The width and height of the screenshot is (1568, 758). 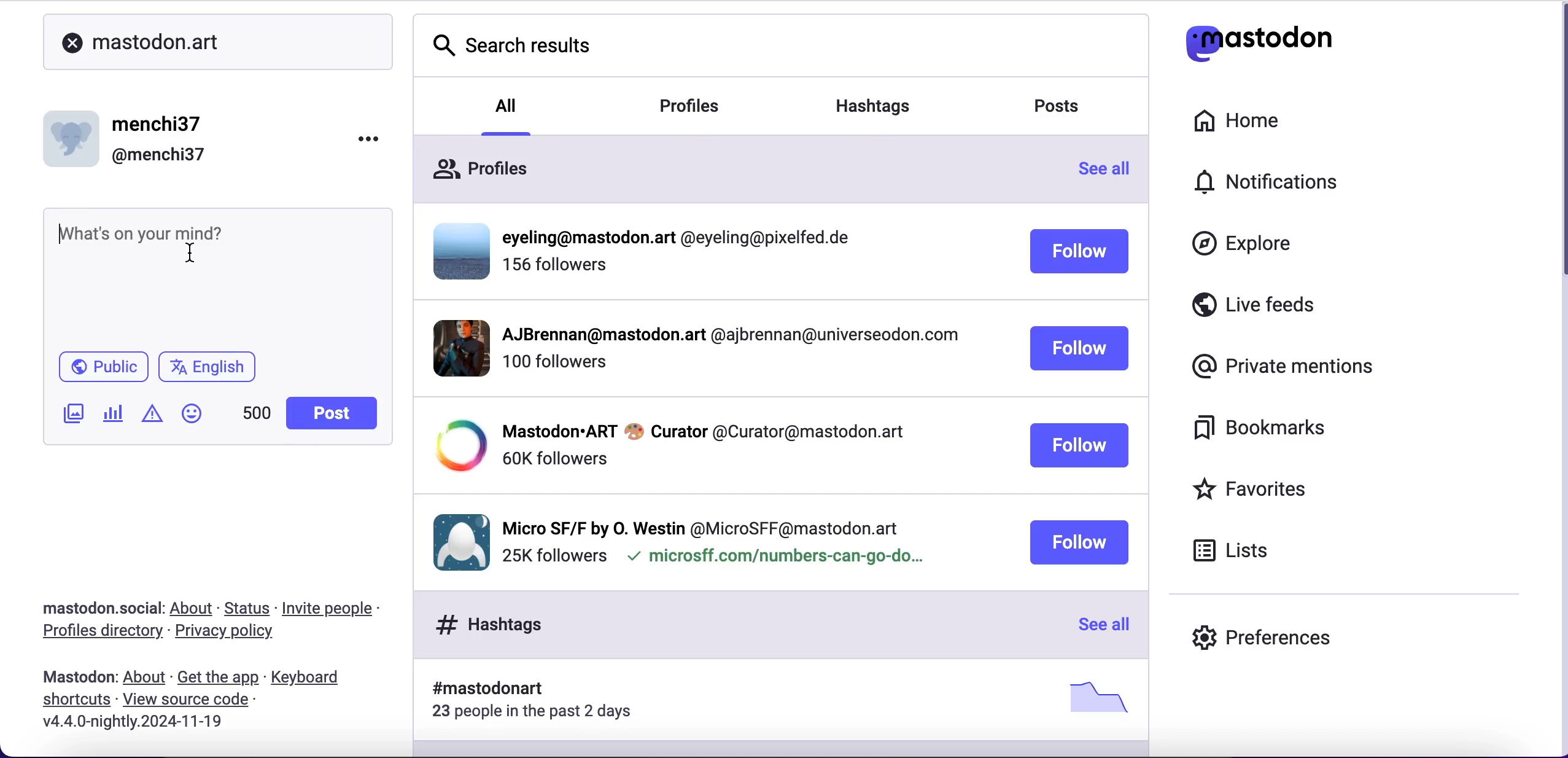 What do you see at coordinates (1262, 638) in the screenshot?
I see `preferences` at bounding box center [1262, 638].